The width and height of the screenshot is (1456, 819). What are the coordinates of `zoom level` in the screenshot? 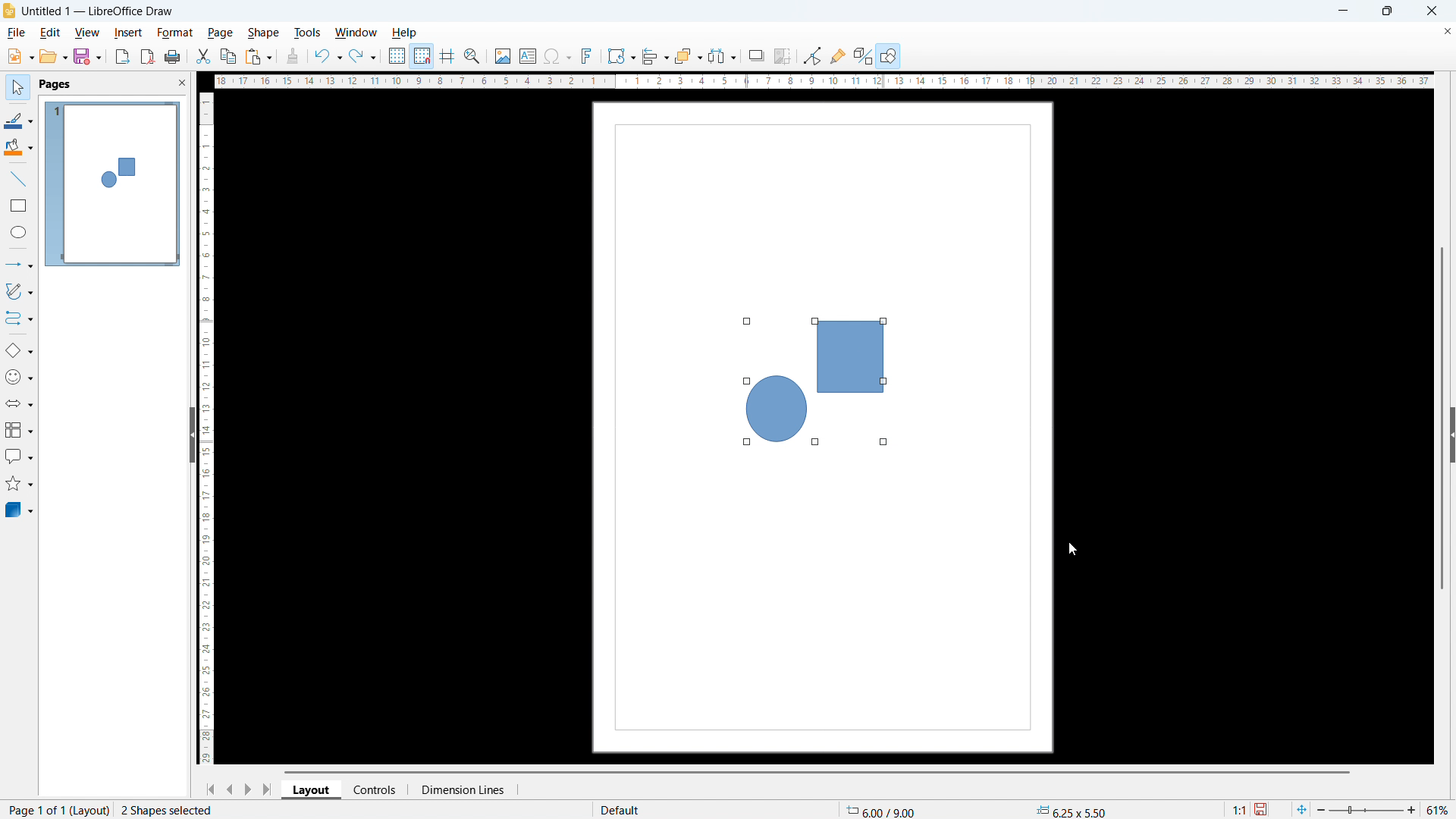 It's located at (1439, 809).